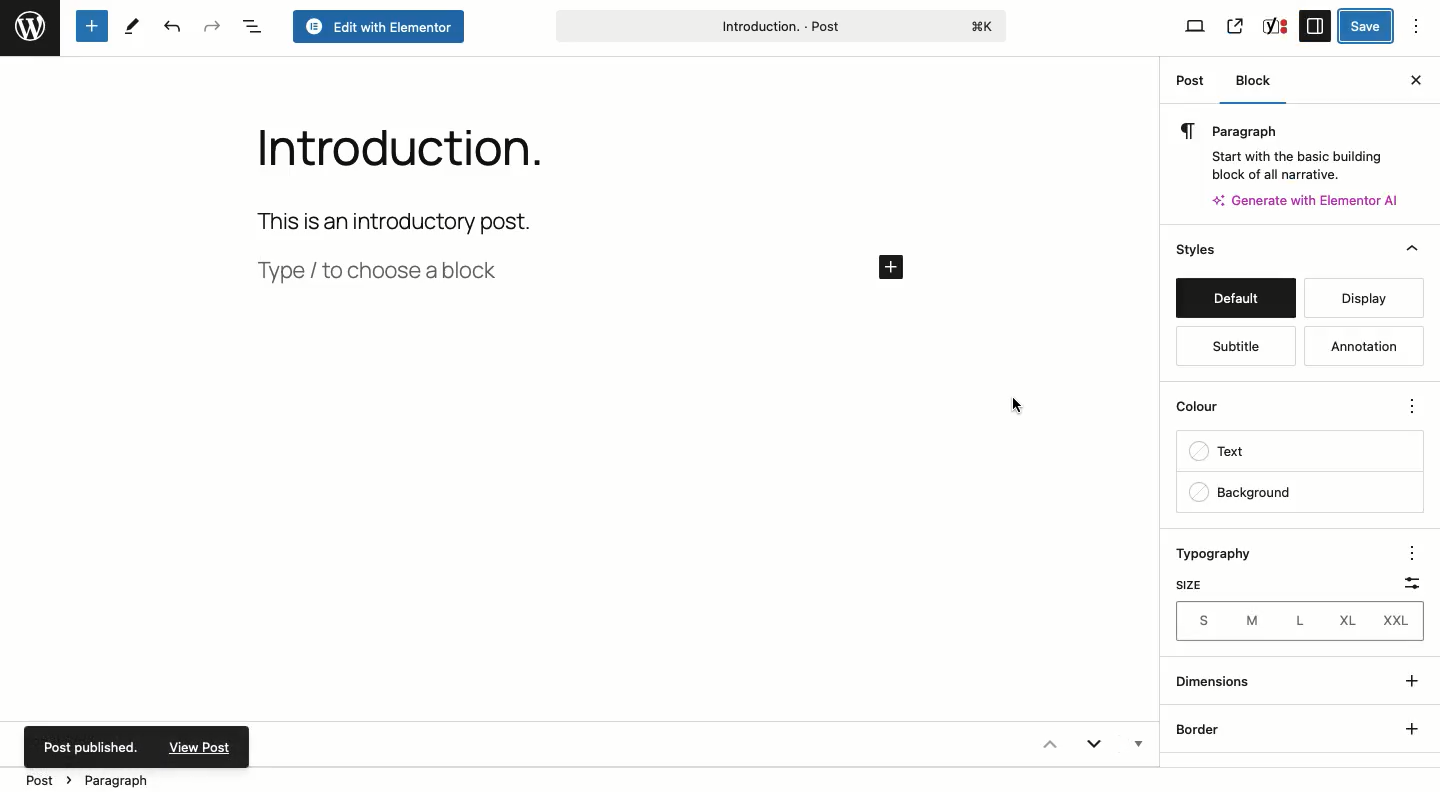 The height and width of the screenshot is (792, 1440). Describe the element at coordinates (1187, 585) in the screenshot. I see `Size` at that location.